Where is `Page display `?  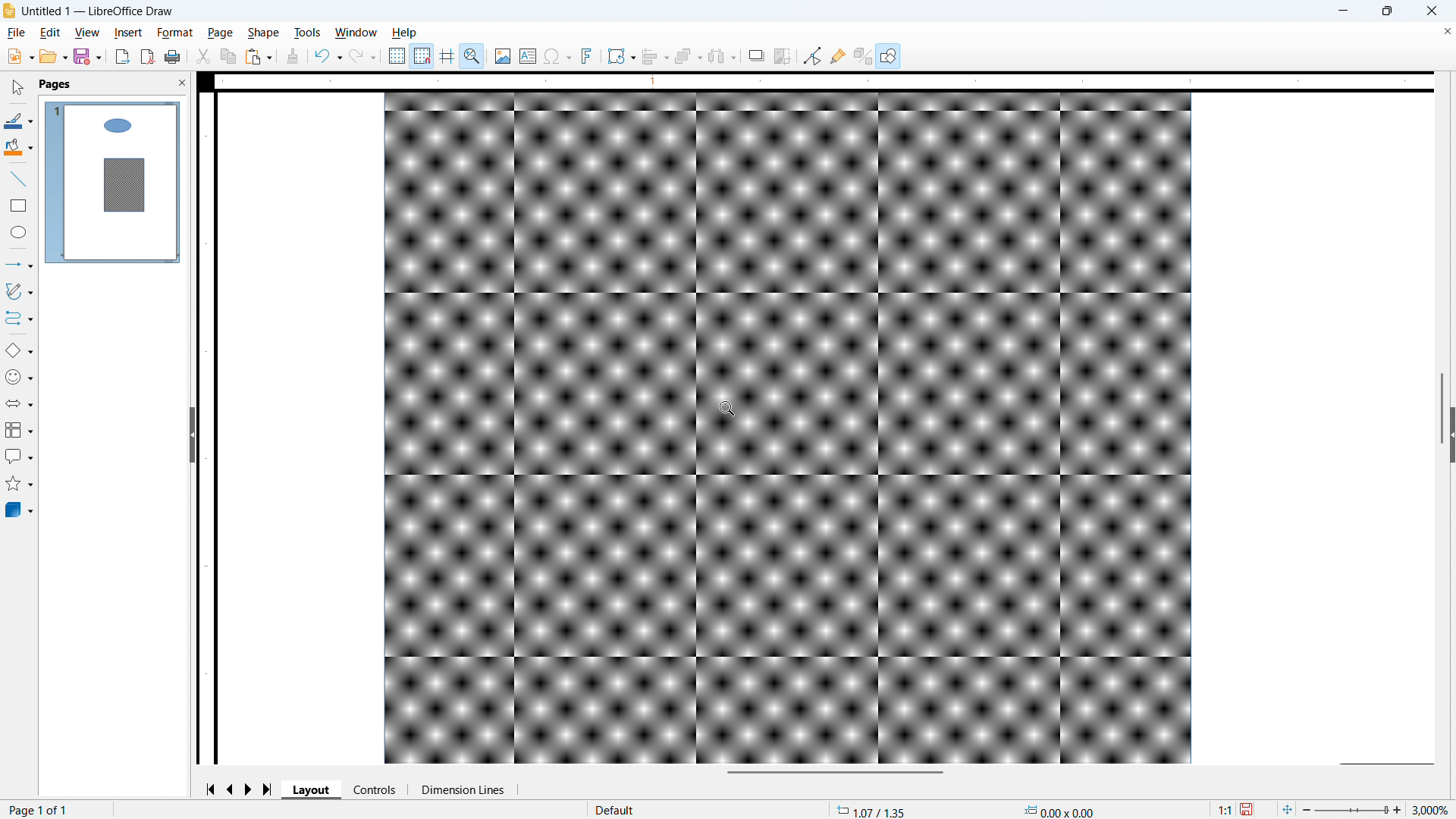 Page display  is located at coordinates (113, 182).